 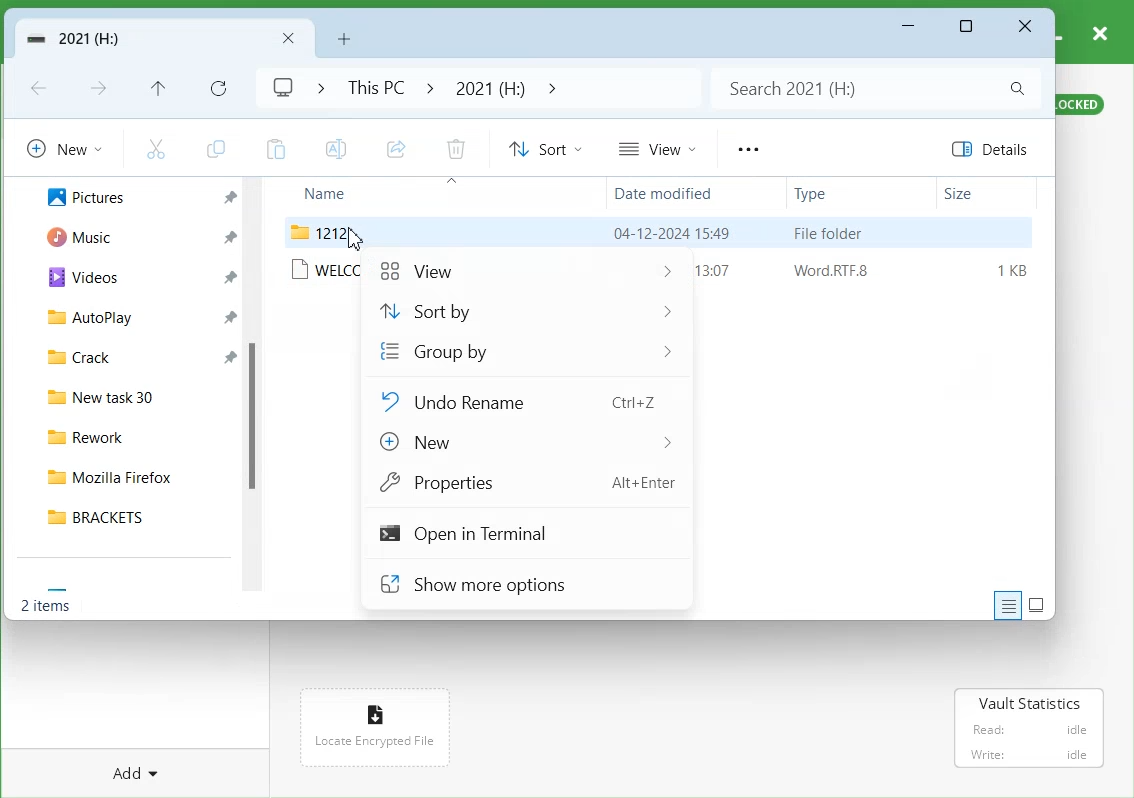 What do you see at coordinates (968, 27) in the screenshot?
I see `Maximize` at bounding box center [968, 27].